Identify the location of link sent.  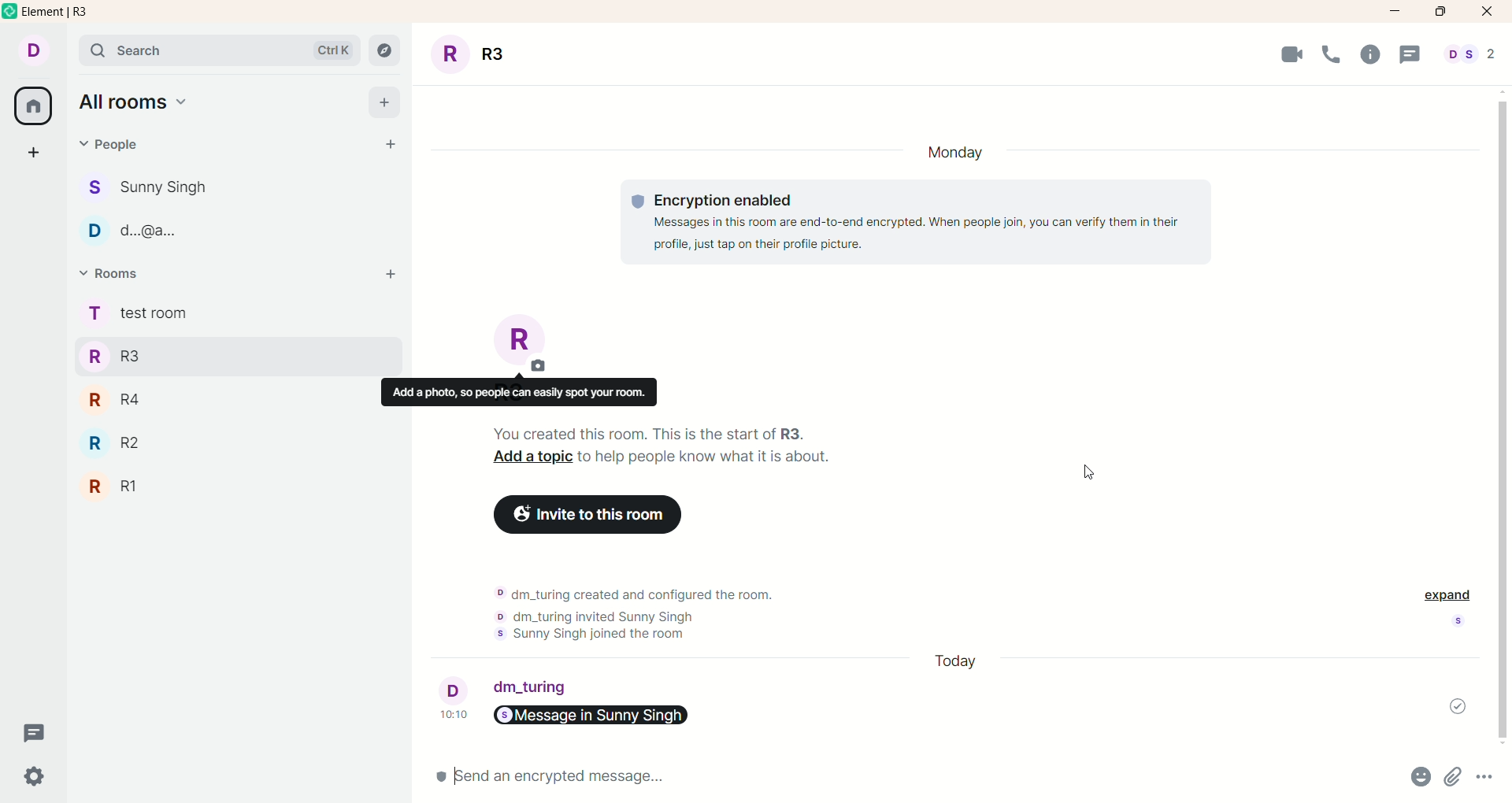
(591, 716).